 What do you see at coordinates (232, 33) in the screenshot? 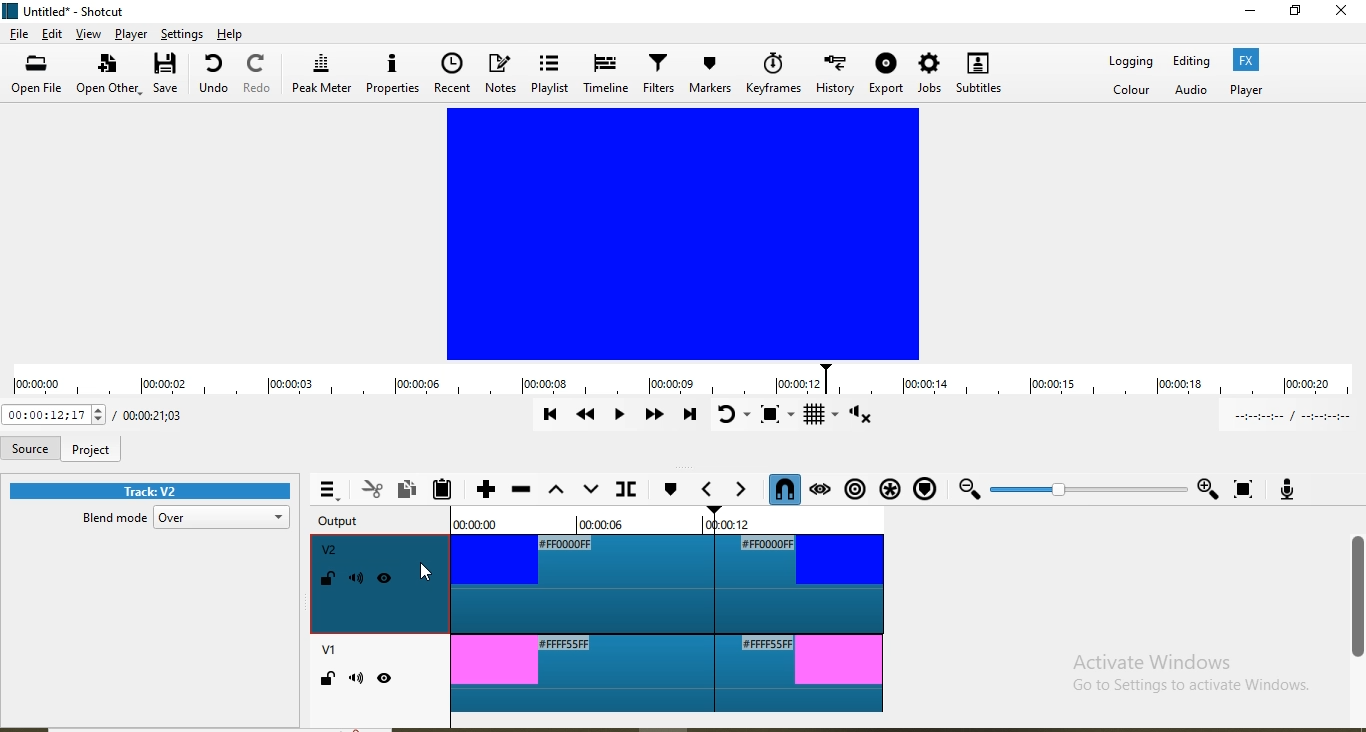
I see `help` at bounding box center [232, 33].